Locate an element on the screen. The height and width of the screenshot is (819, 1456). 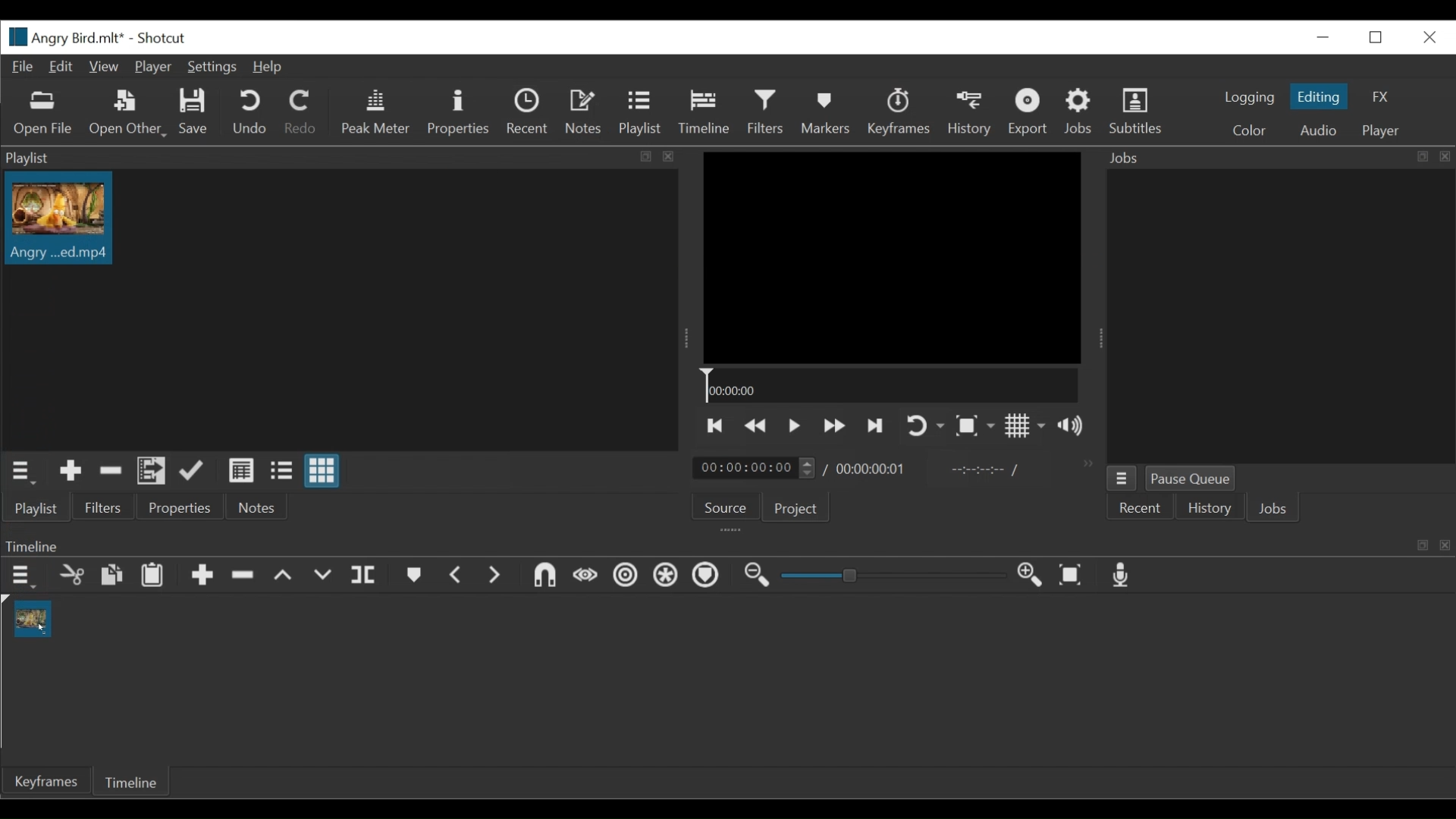
Total duration is located at coordinates (870, 471).